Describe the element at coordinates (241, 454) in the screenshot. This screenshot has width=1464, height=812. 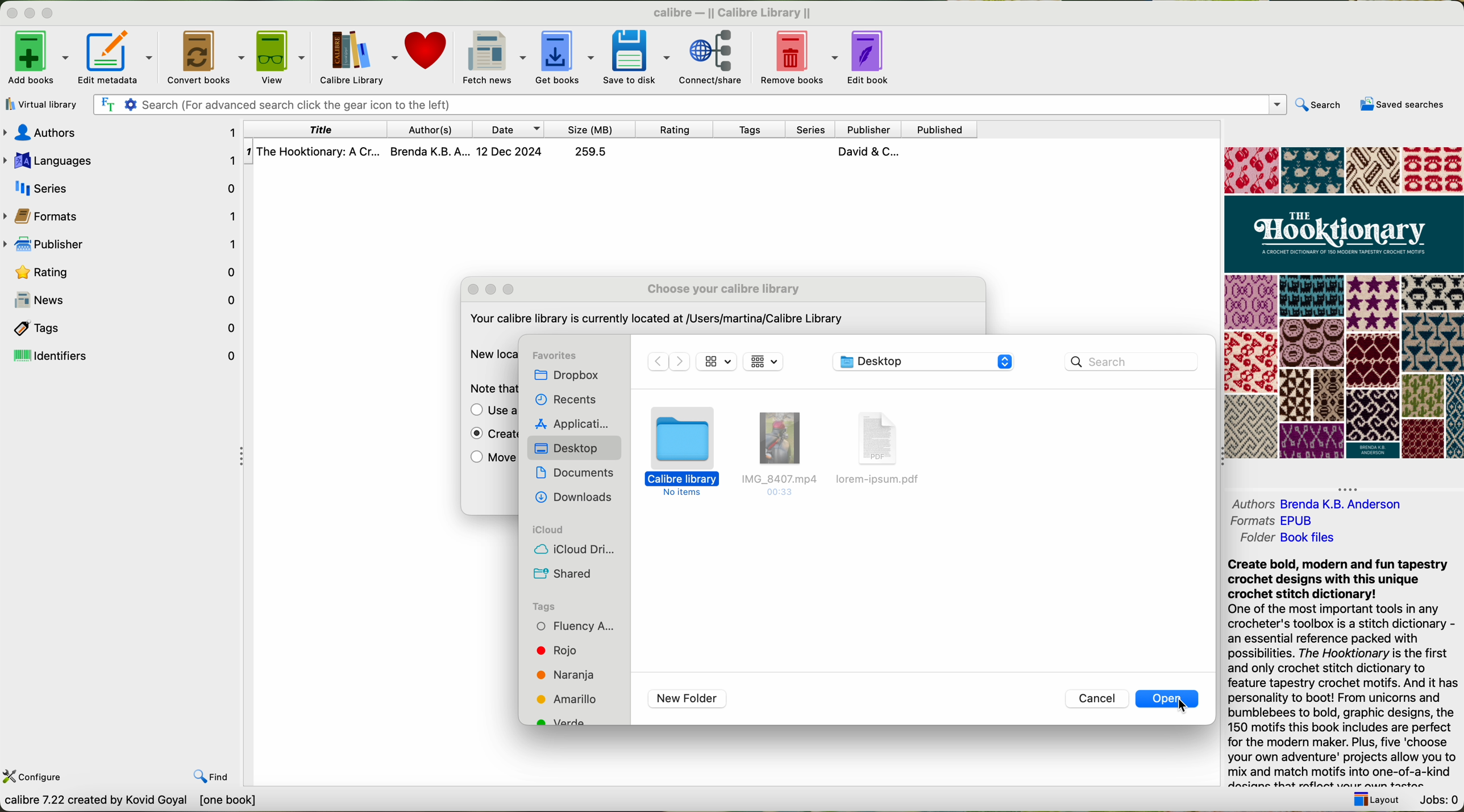
I see `hide` at that location.